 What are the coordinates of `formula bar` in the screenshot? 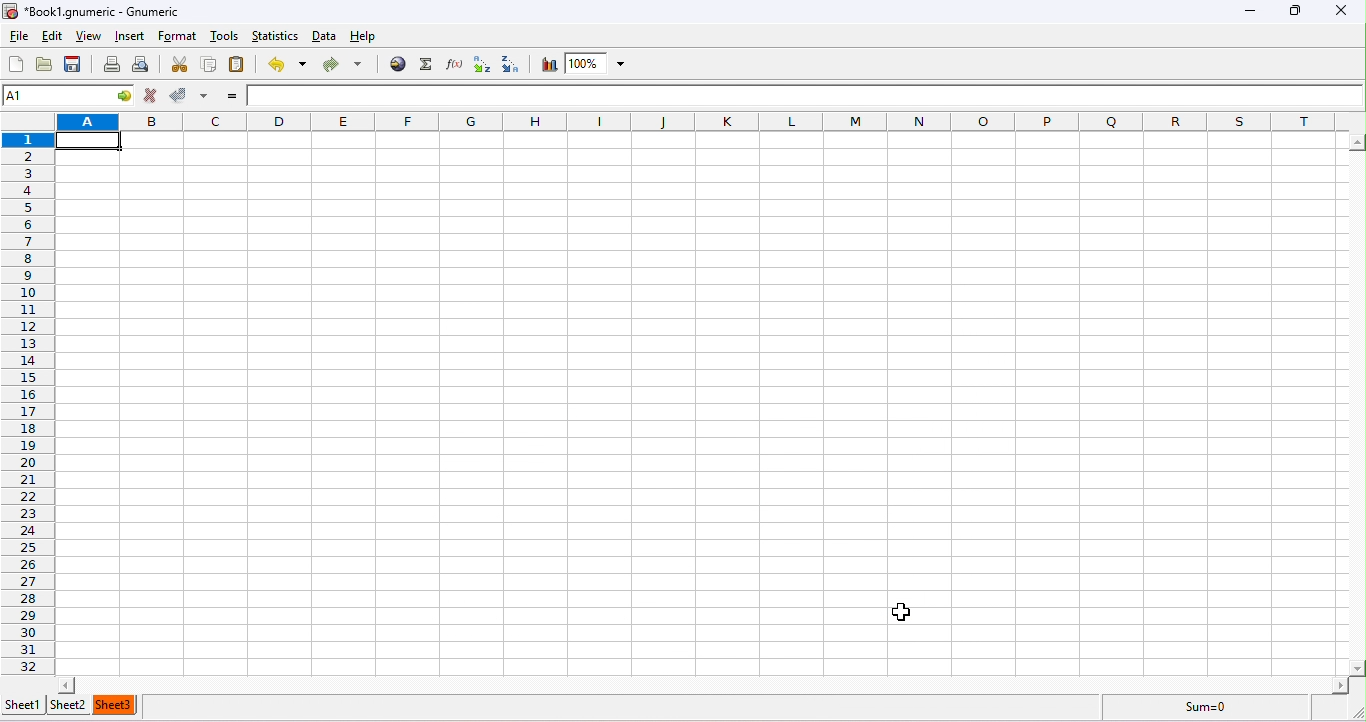 It's located at (805, 95).